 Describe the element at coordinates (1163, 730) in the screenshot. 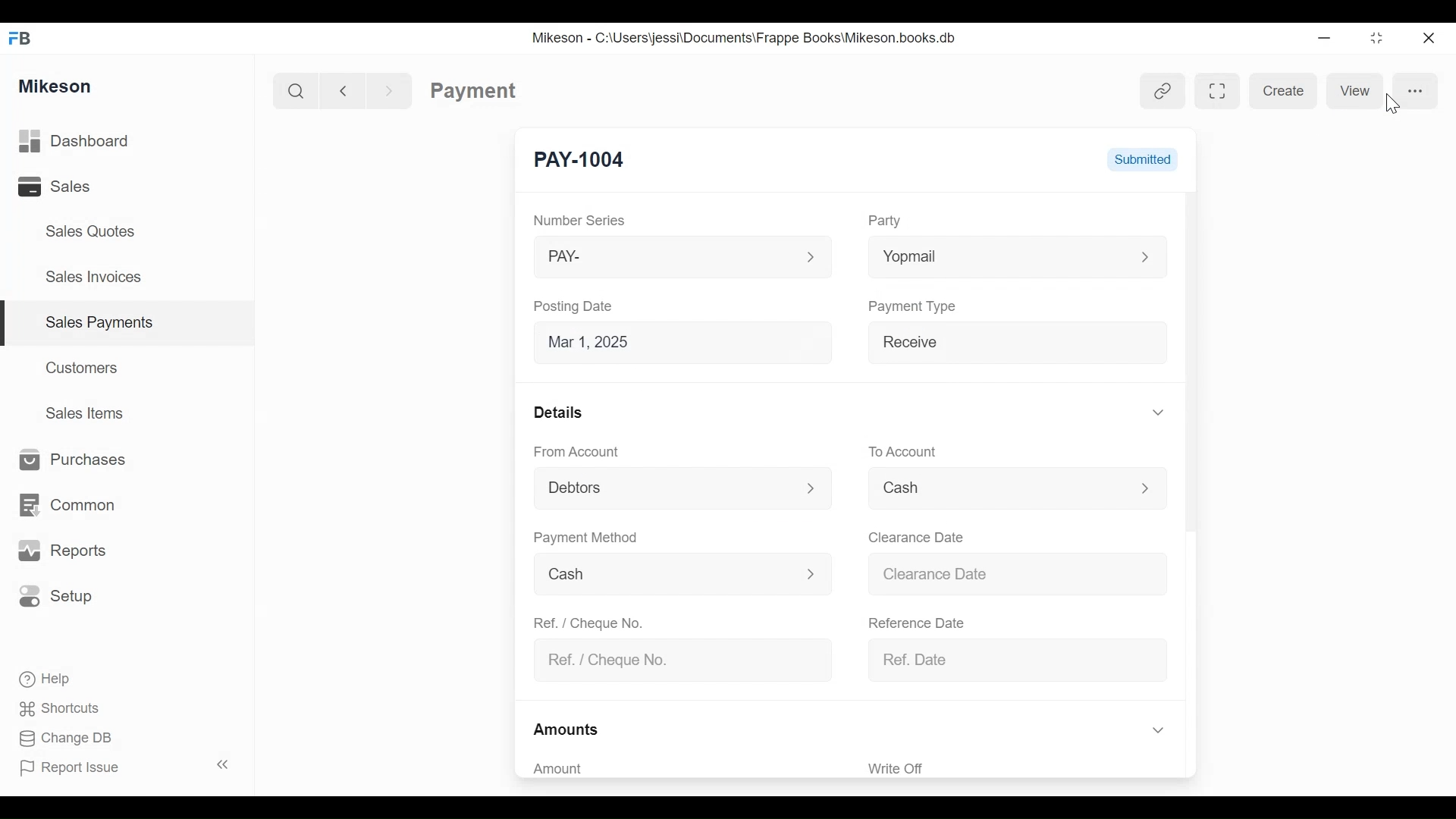

I see `Hide` at that location.